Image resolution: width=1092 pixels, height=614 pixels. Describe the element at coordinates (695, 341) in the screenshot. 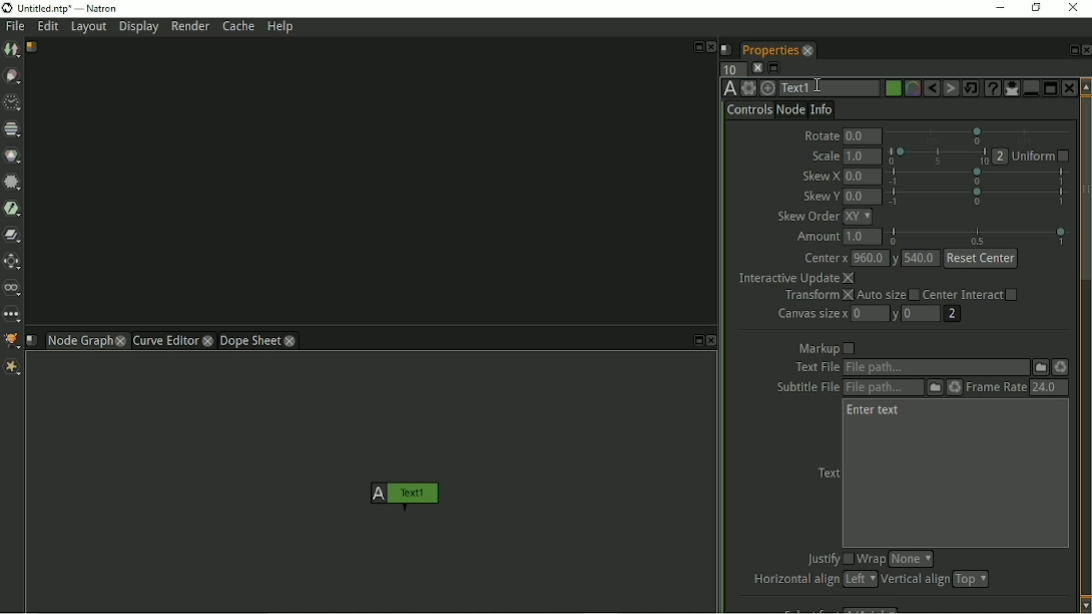

I see `Float pane` at that location.